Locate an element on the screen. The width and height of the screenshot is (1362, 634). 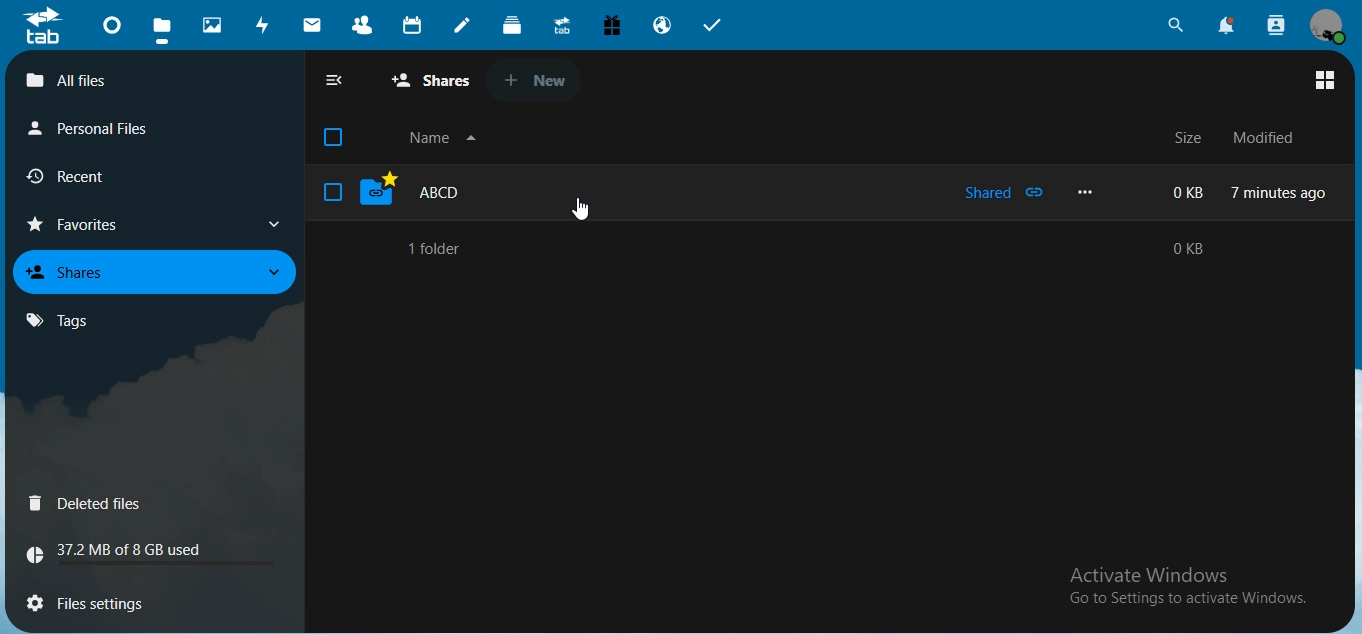
search is located at coordinates (1176, 24).